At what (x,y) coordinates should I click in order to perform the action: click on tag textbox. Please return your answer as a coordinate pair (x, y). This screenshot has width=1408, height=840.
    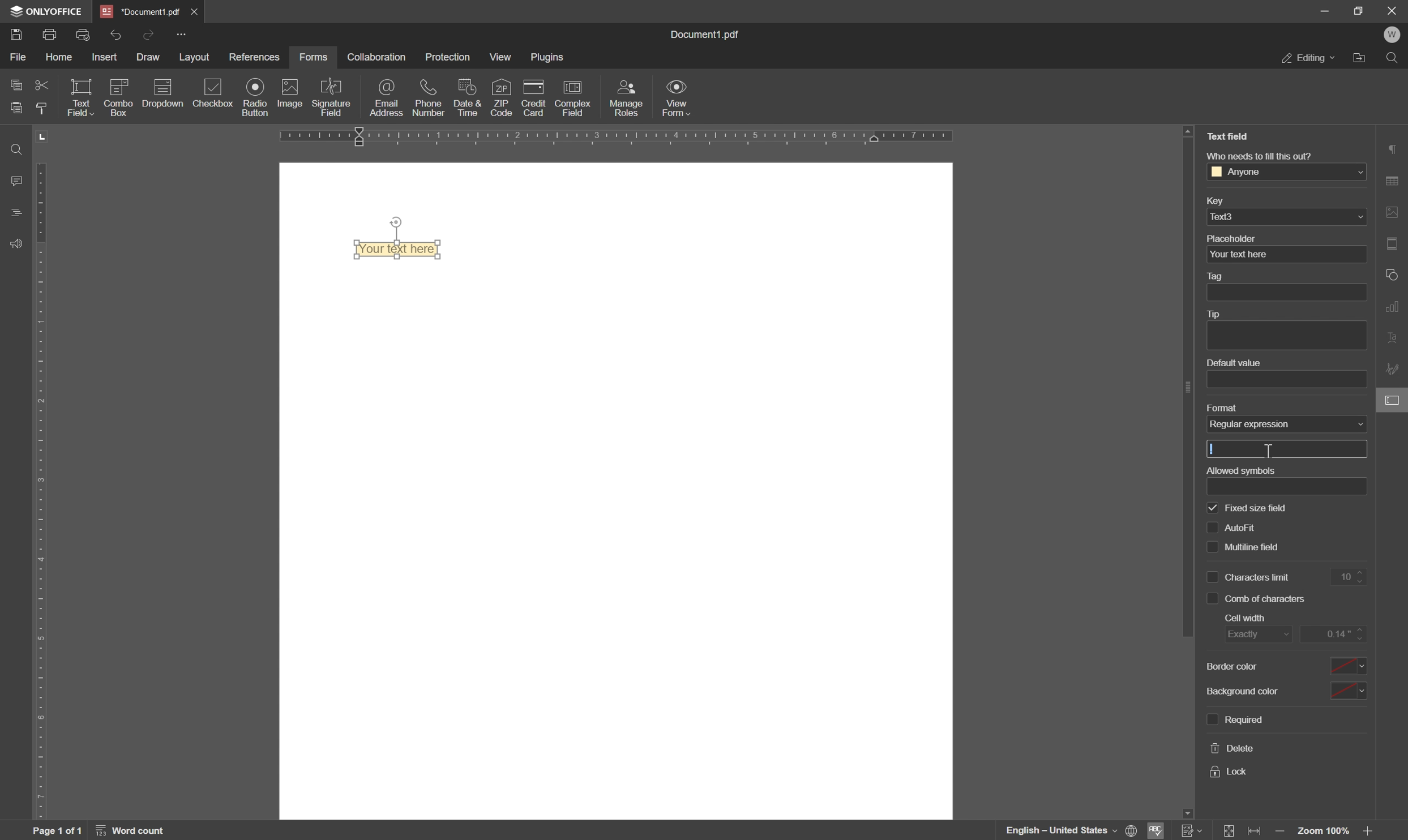
    Looking at the image, I should click on (1291, 292).